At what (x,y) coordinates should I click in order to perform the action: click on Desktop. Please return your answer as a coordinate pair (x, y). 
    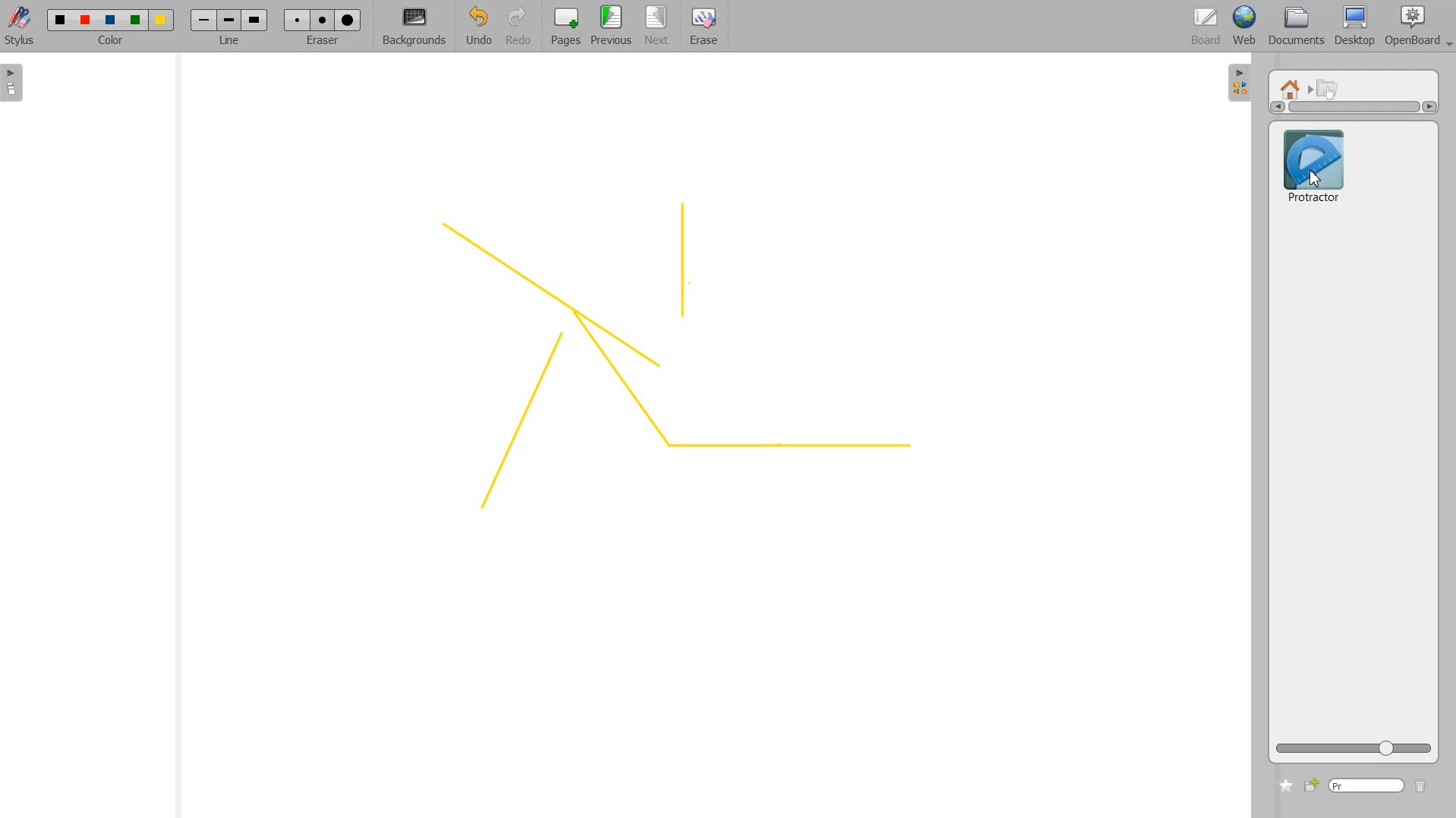
    Looking at the image, I should click on (1354, 27).